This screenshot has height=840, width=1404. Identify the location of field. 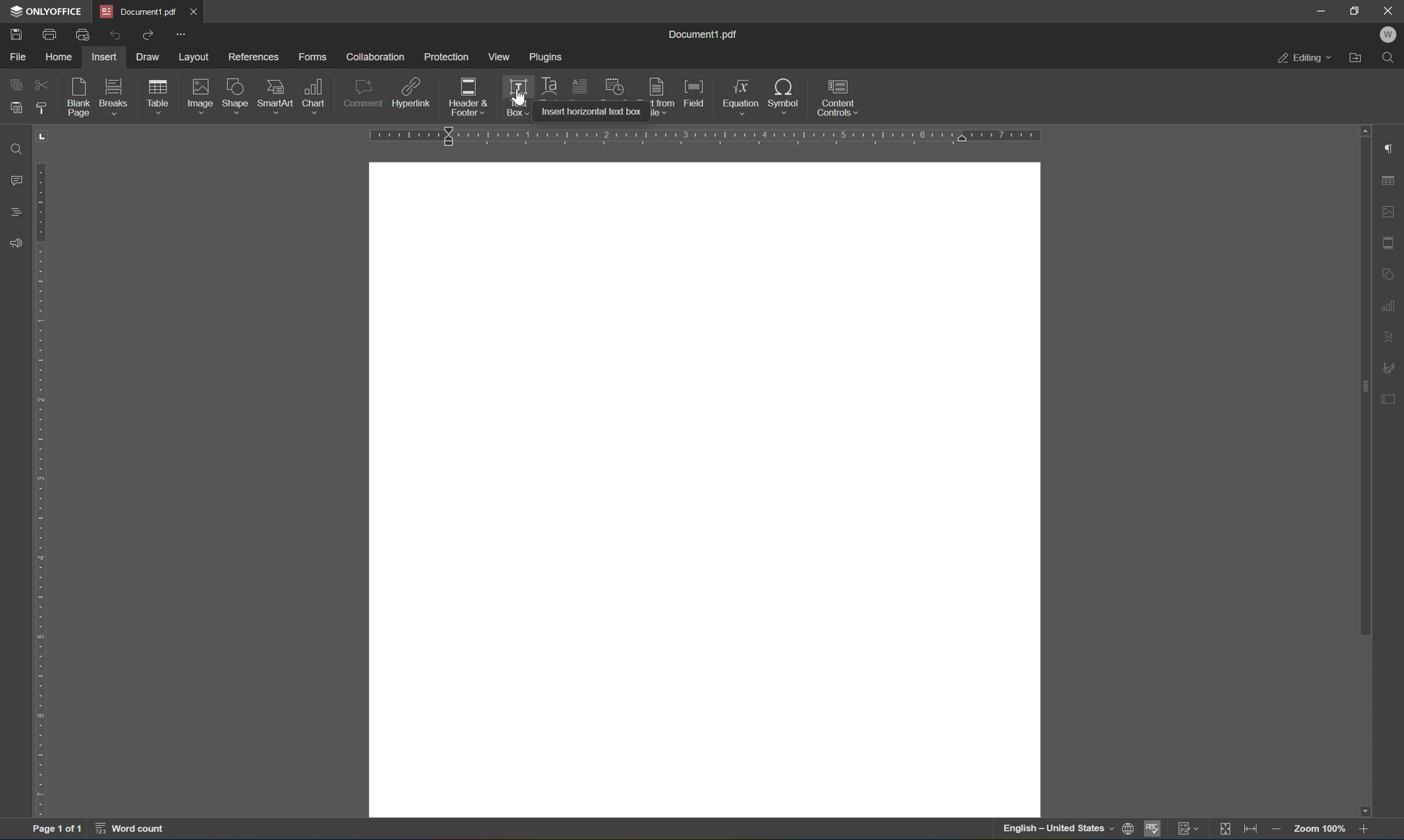
(695, 93).